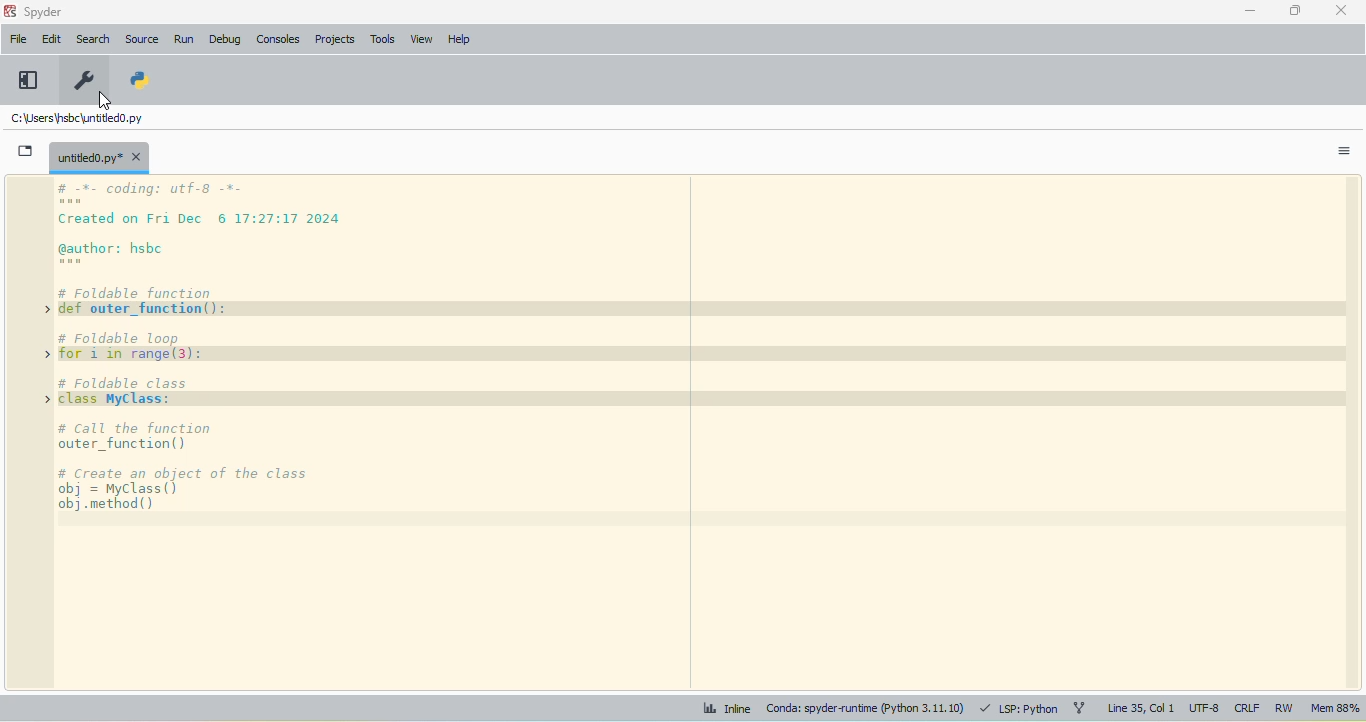 This screenshot has width=1366, height=722. I want to click on debug, so click(225, 41).